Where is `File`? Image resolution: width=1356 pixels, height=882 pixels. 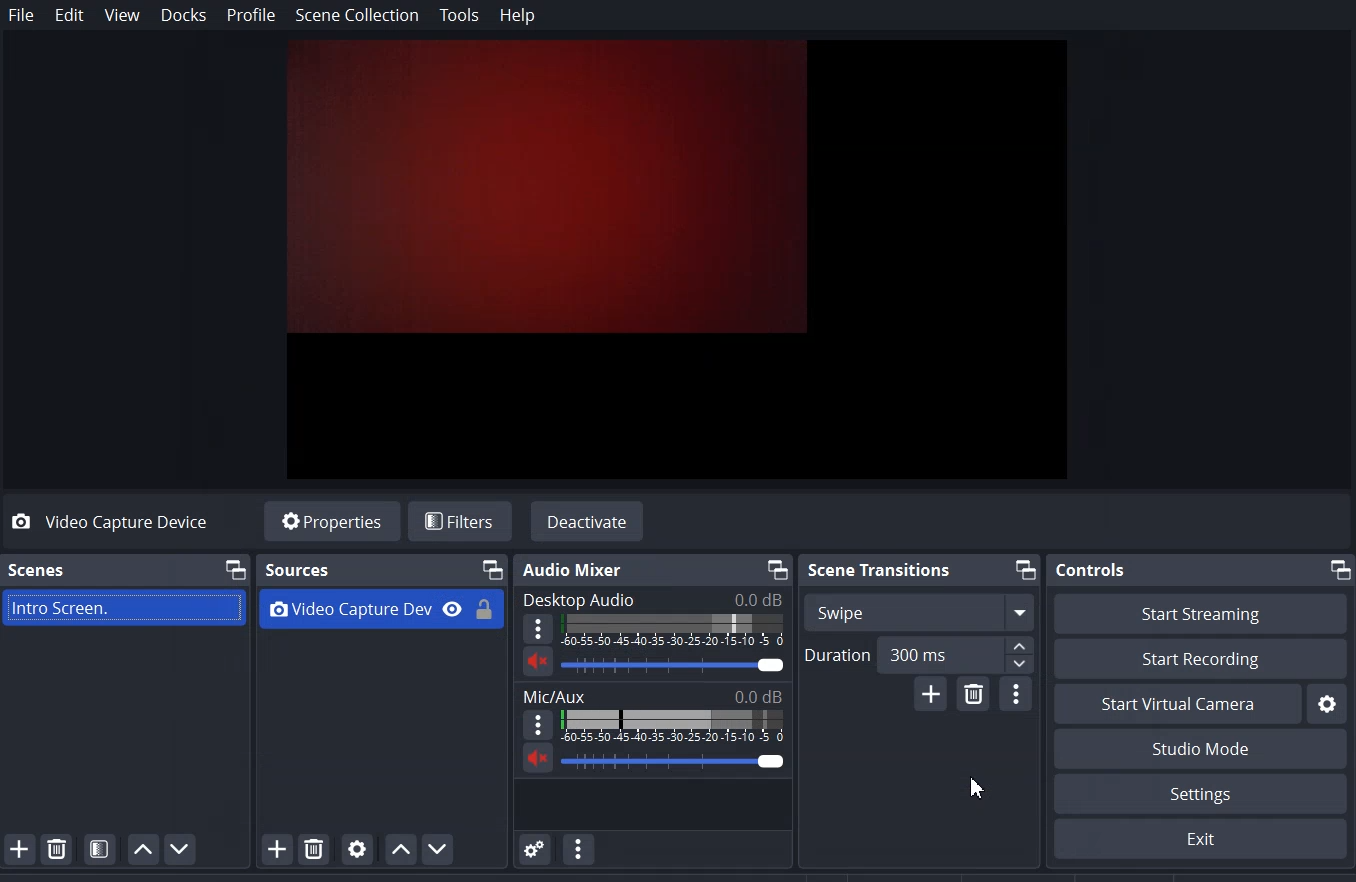 File is located at coordinates (21, 14).